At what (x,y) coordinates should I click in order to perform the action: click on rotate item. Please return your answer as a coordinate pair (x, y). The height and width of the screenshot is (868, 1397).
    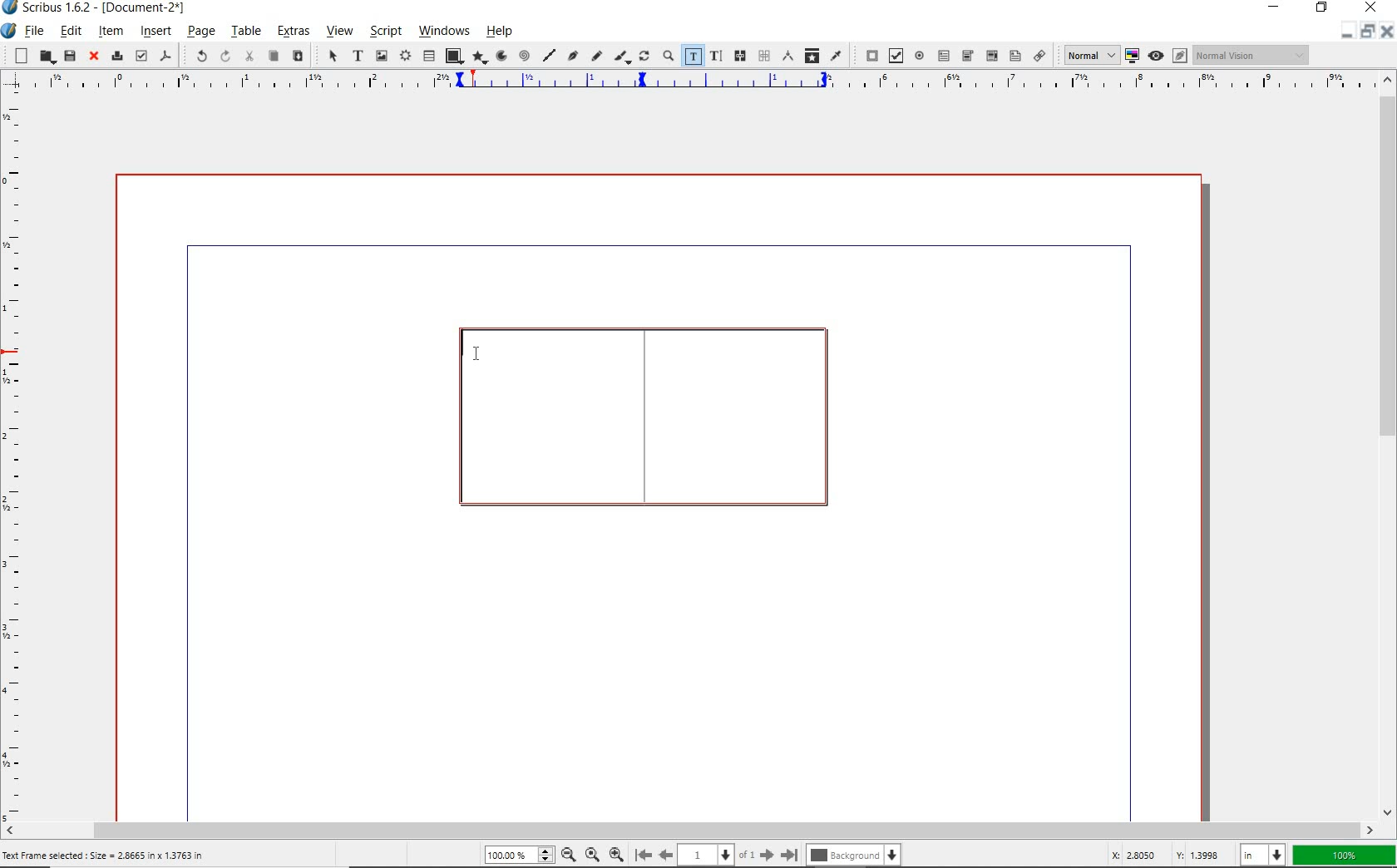
    Looking at the image, I should click on (643, 57).